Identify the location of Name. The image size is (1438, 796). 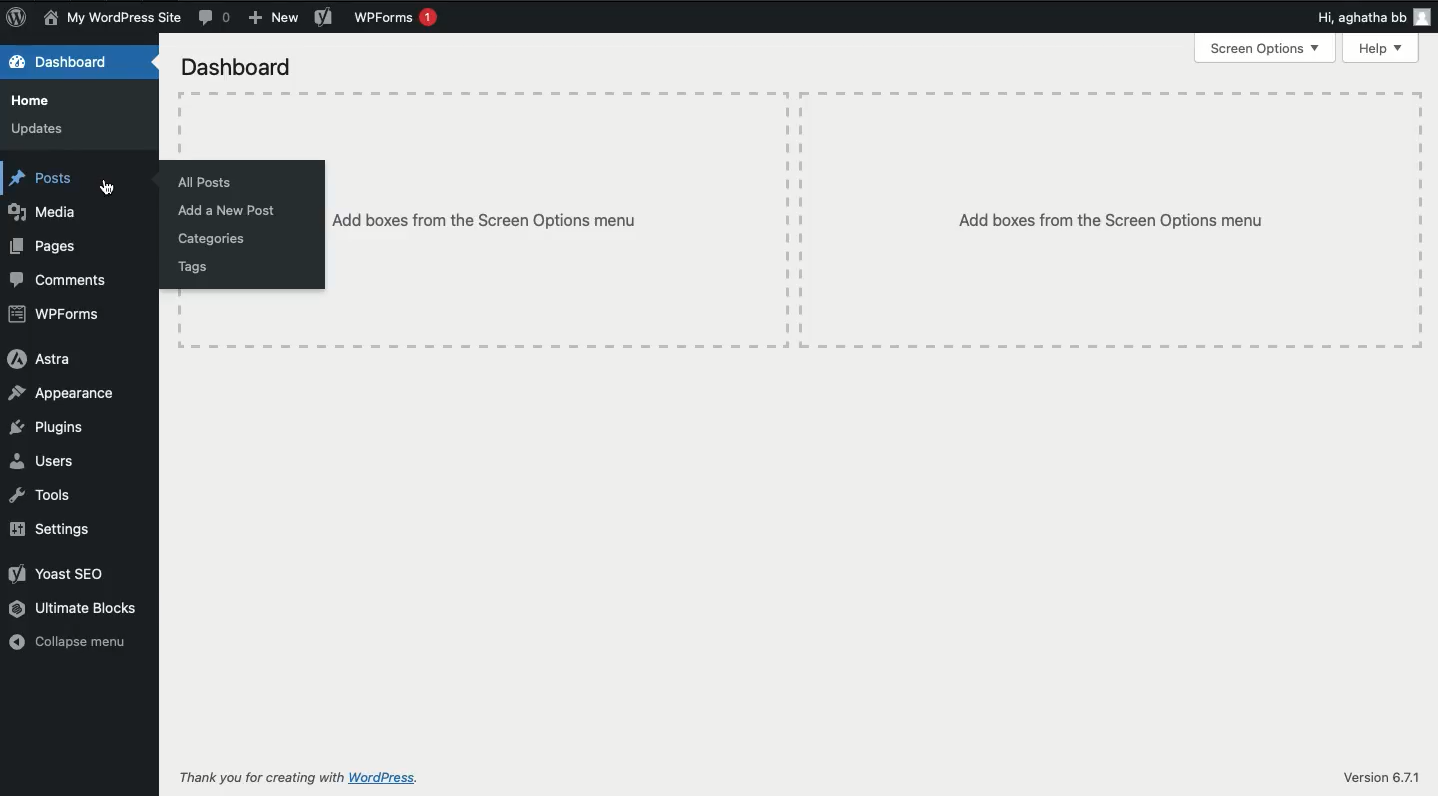
(112, 19).